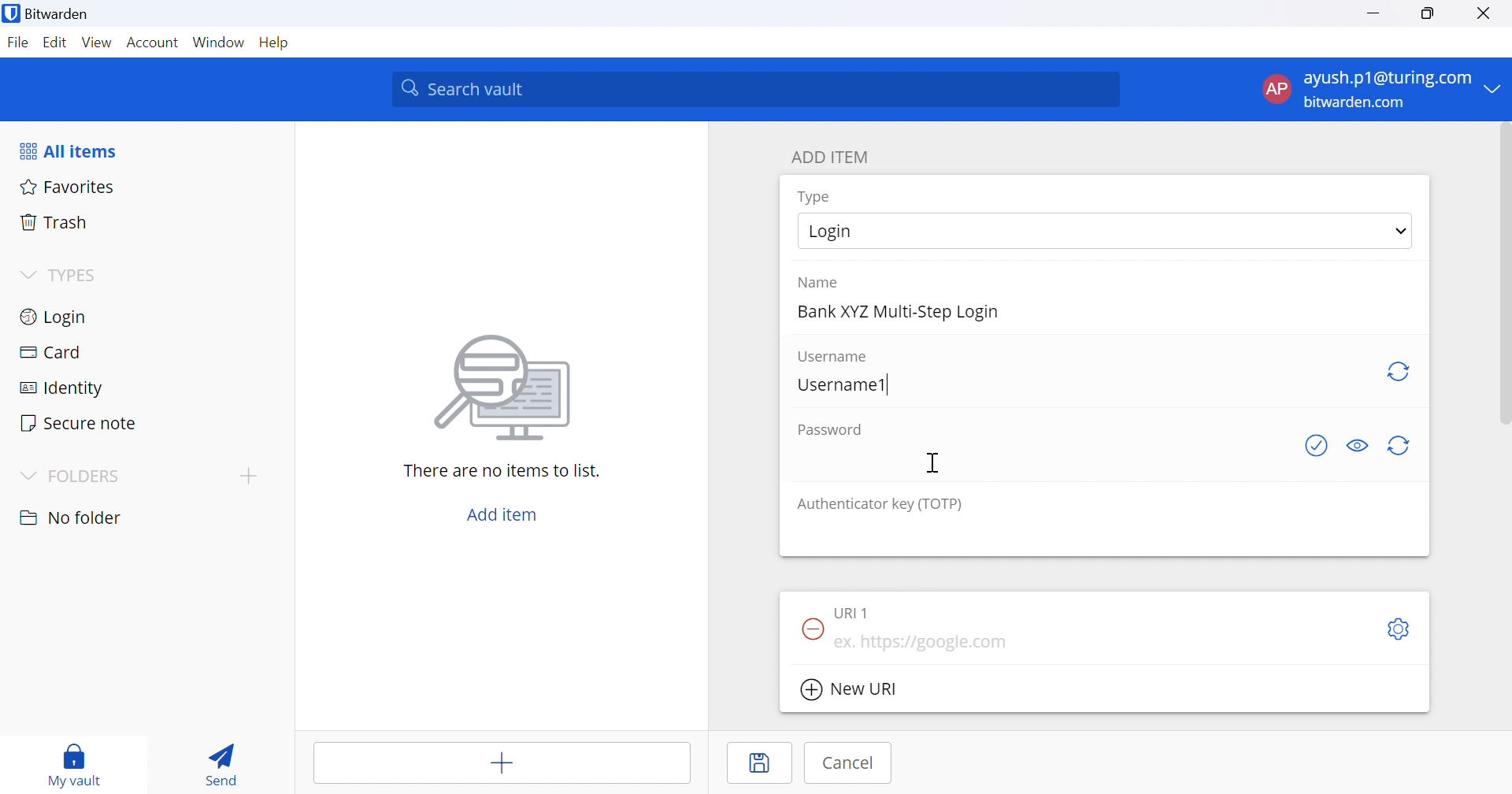 The image size is (1512, 794). Describe the element at coordinates (505, 388) in the screenshot. I see `Image` at that location.